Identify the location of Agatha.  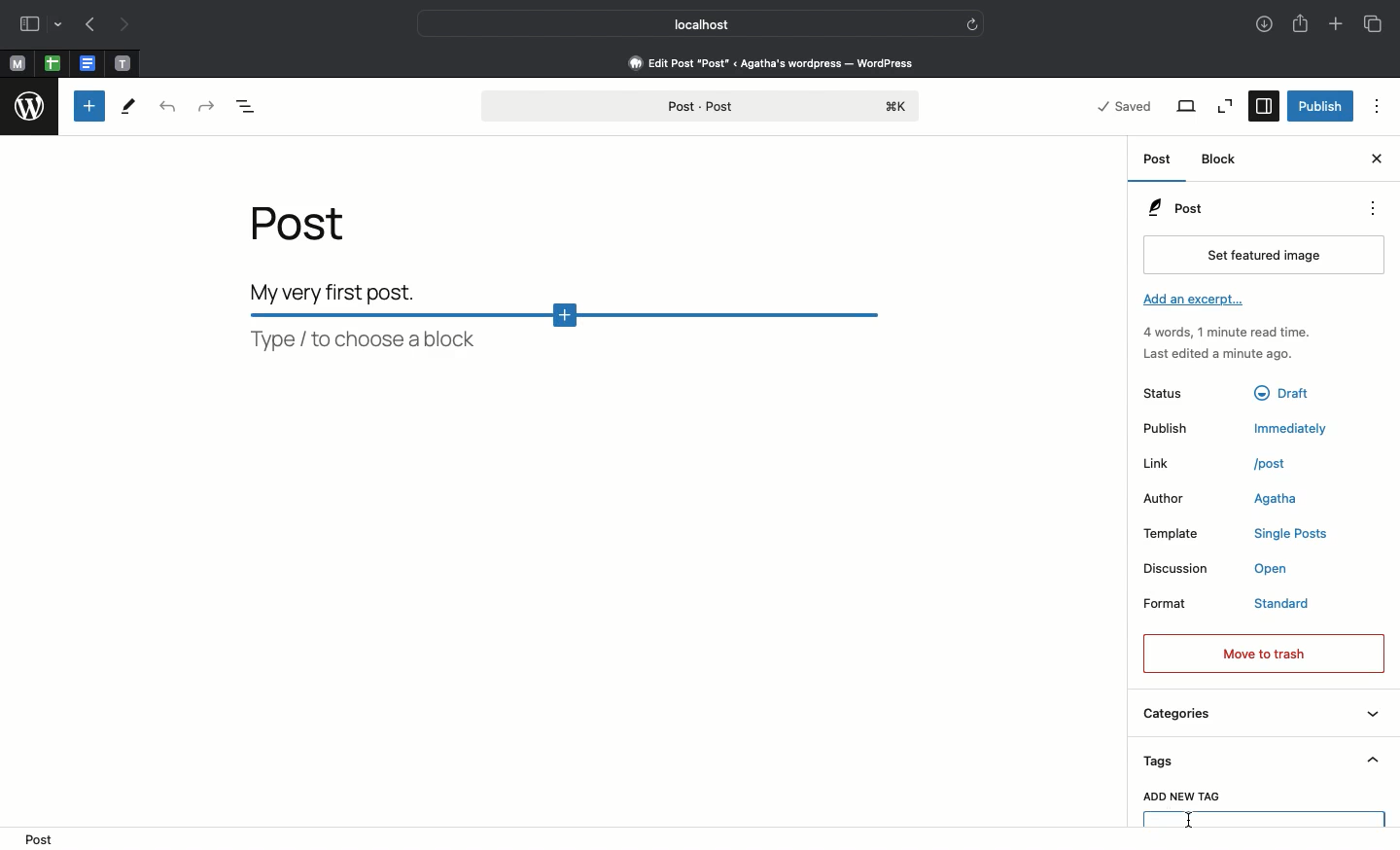
(1275, 496).